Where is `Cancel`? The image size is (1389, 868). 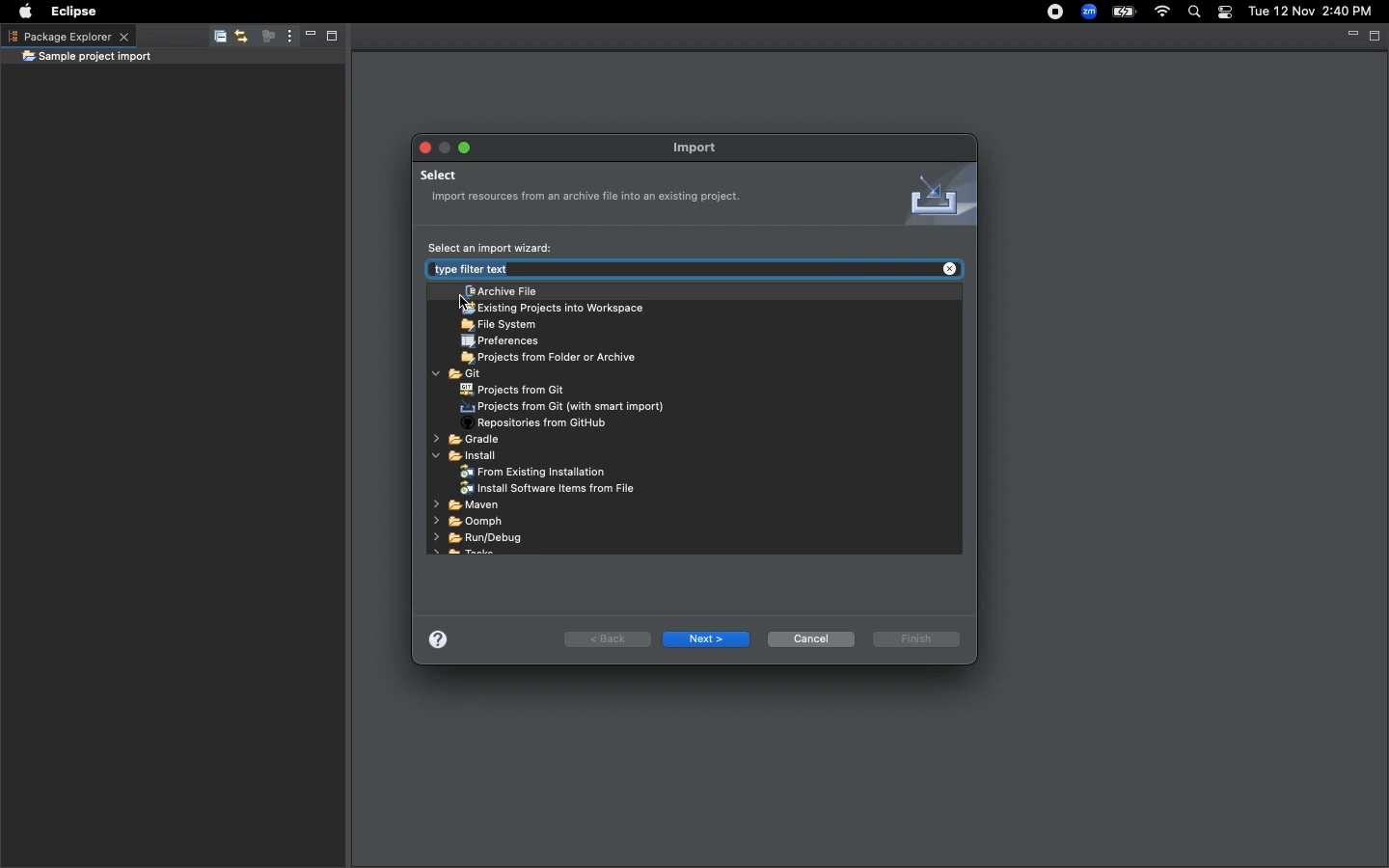 Cancel is located at coordinates (811, 638).